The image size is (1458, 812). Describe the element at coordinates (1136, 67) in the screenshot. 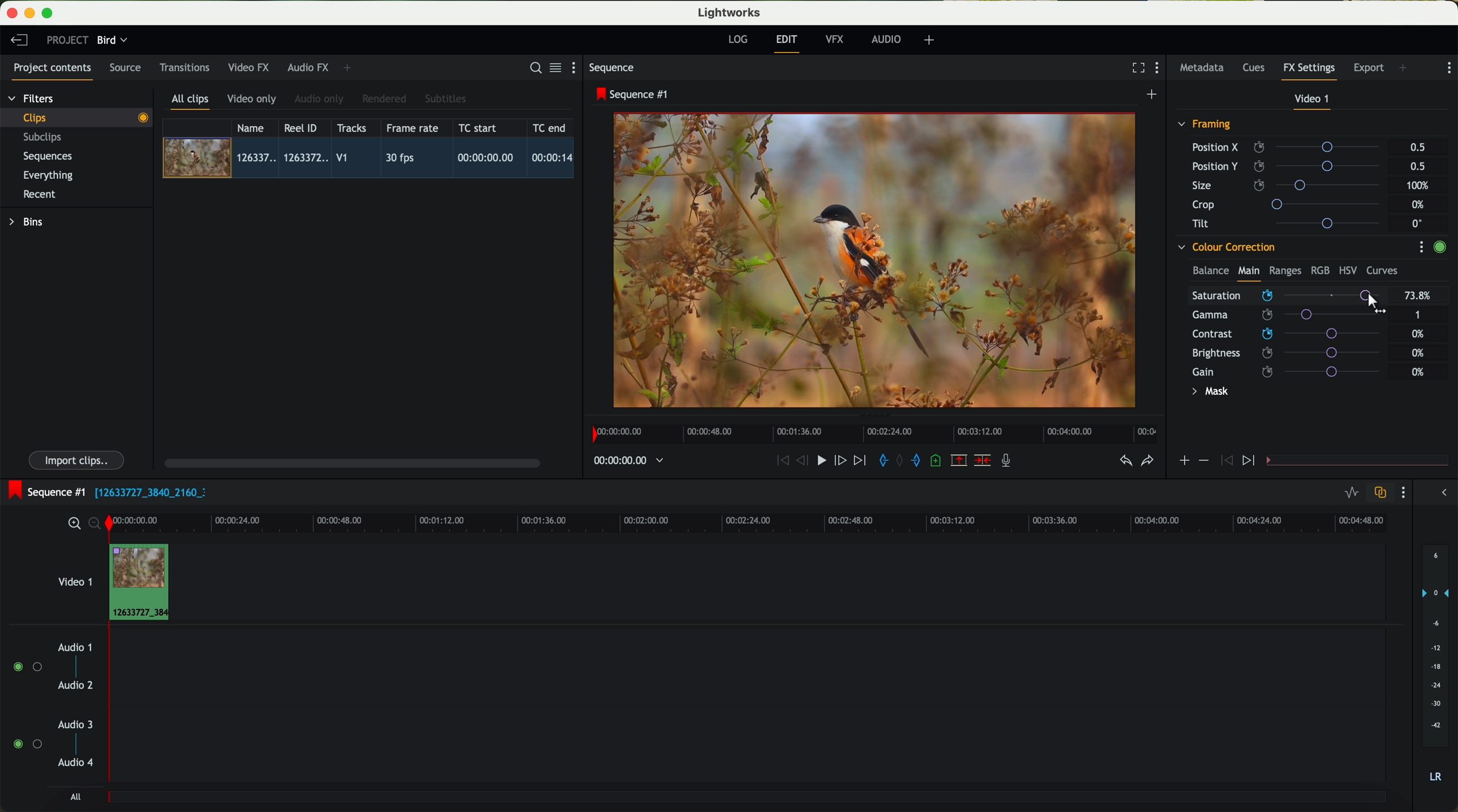

I see `fullscreen` at that location.